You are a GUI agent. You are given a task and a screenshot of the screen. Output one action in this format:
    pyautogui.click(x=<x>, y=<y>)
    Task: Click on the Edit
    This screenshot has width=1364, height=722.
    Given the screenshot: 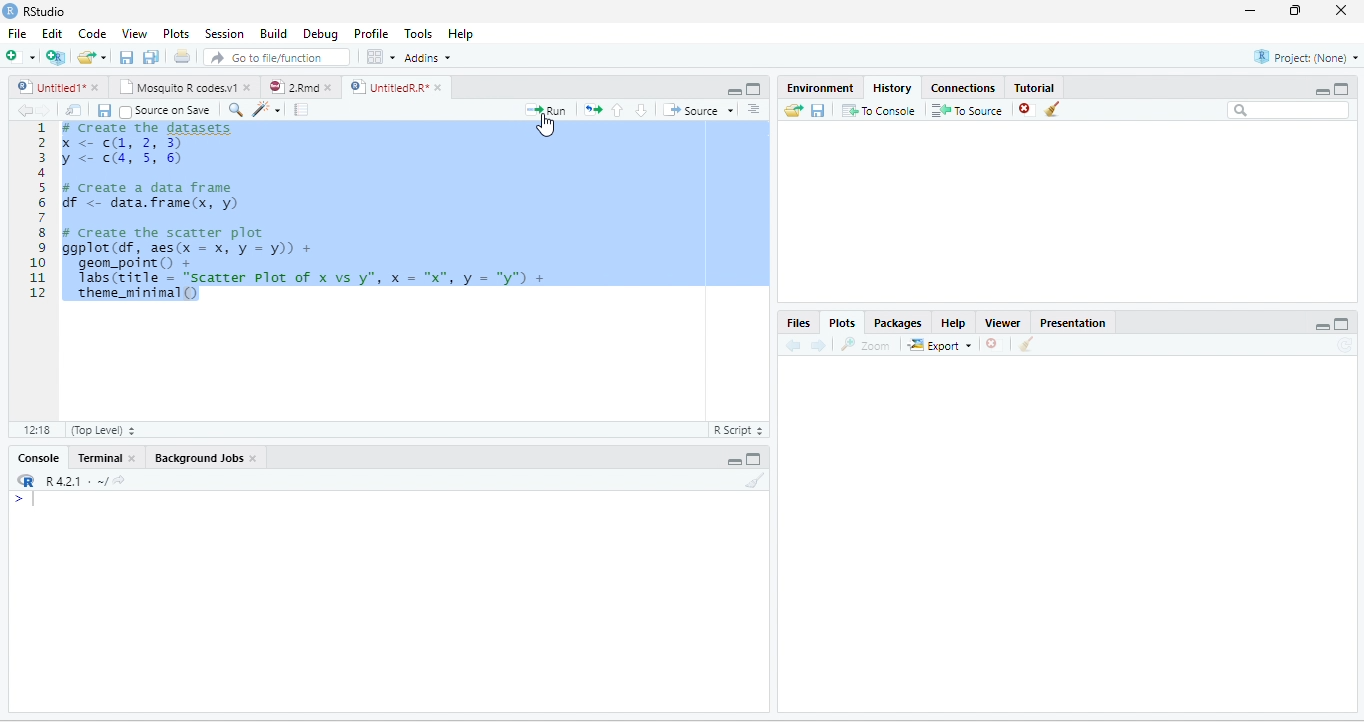 What is the action you would take?
    pyautogui.click(x=51, y=33)
    